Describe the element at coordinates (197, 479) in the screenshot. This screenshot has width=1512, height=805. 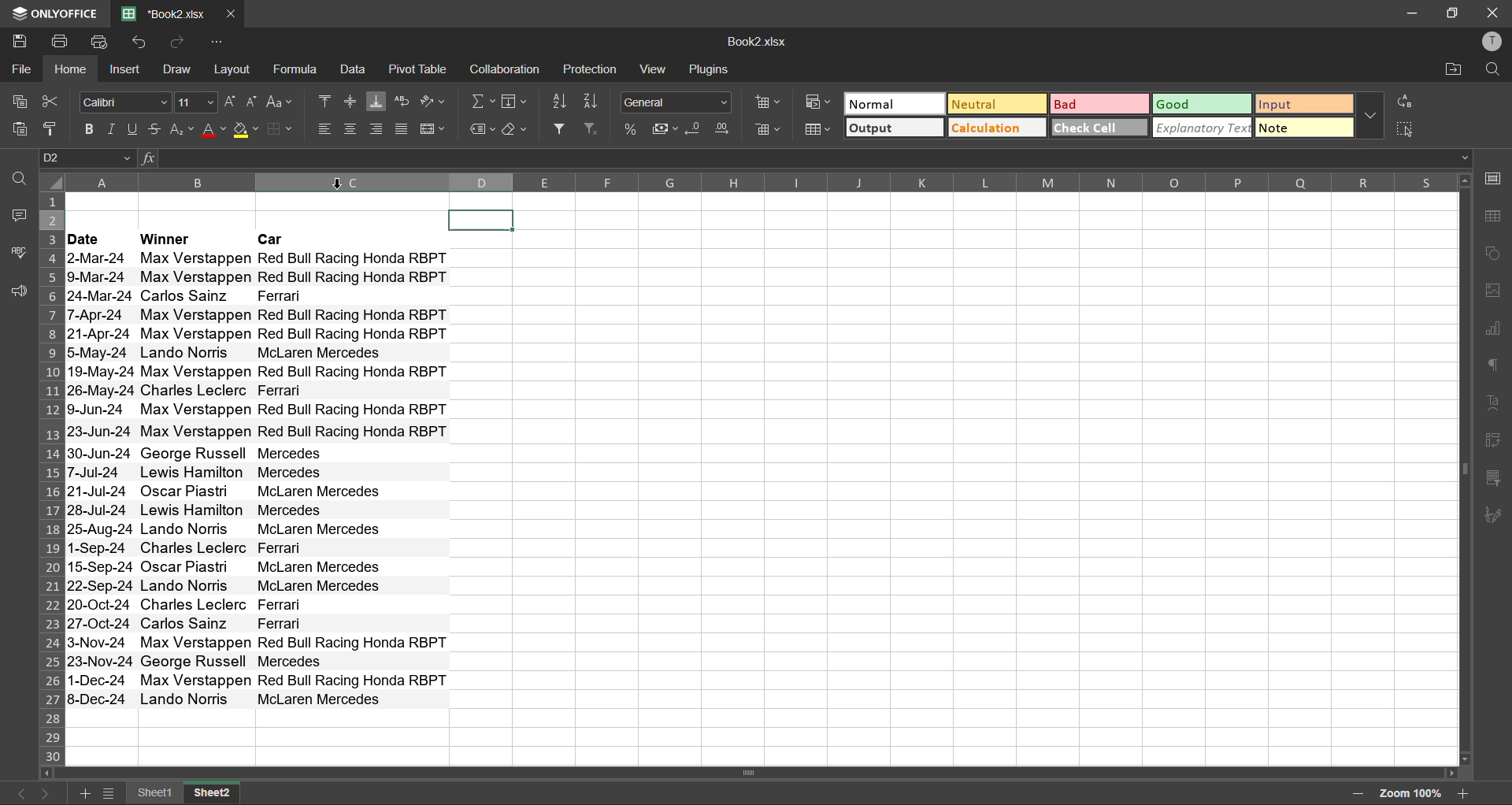
I see `Max Verstappen
Max Verstappen
Carlos Sainz
Max Verstappen
Max Verstappen
Lando Norris
Max Verstappen
Charles Leclerc
Max Verstappen
Max Verstappen
George Russell
Lewis Hamilton
Oscar Piastri
Lewis Hamilton
Lando Norris
Charles Leclerc
Oscar Piastri
Lando Norris
Charles Leclerc
Carlos Sainz
Max Verstappen
George Russell
Max Verstappen
Lando Norris` at that location.